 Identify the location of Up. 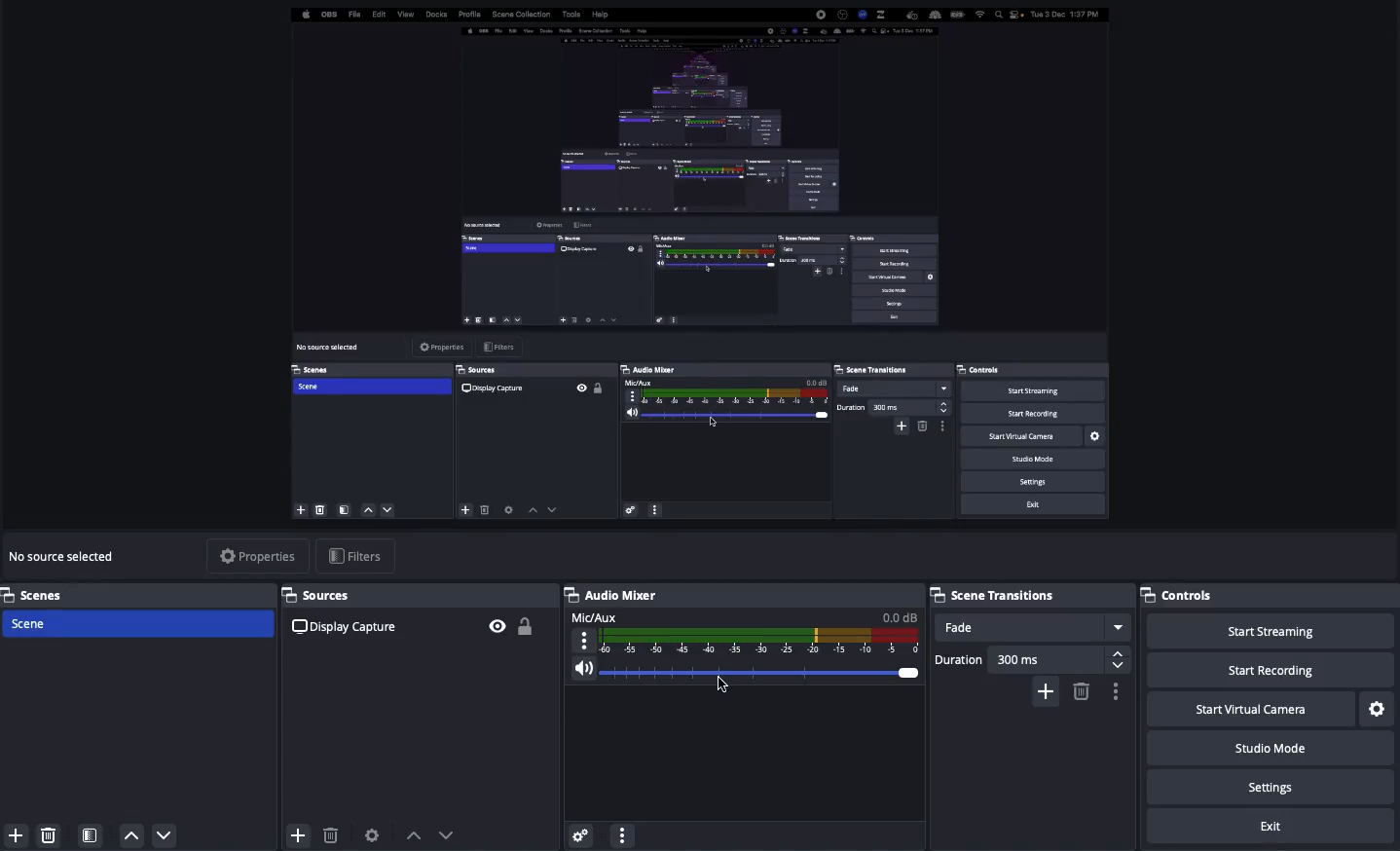
(132, 835).